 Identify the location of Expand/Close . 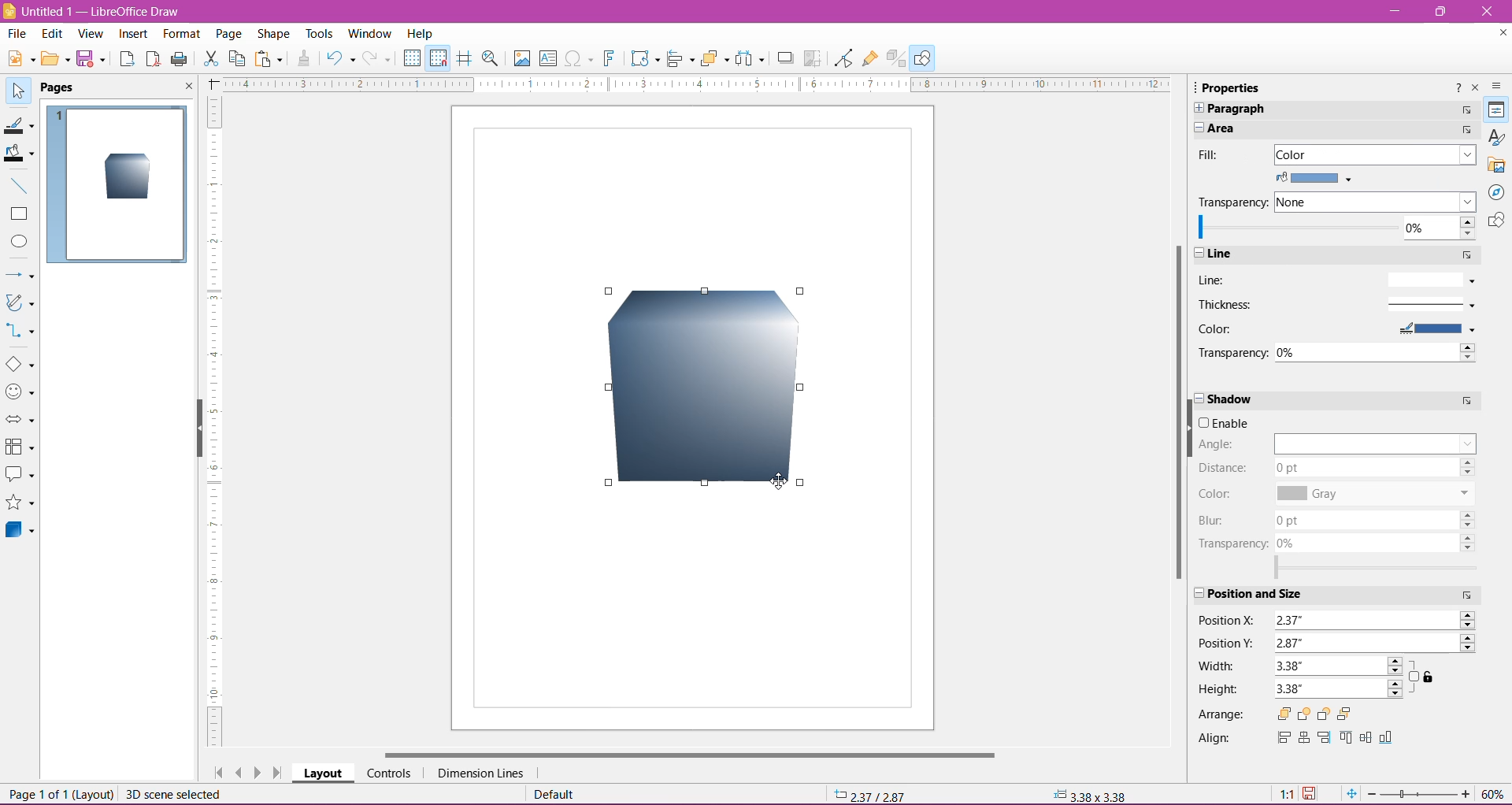
(1198, 399).